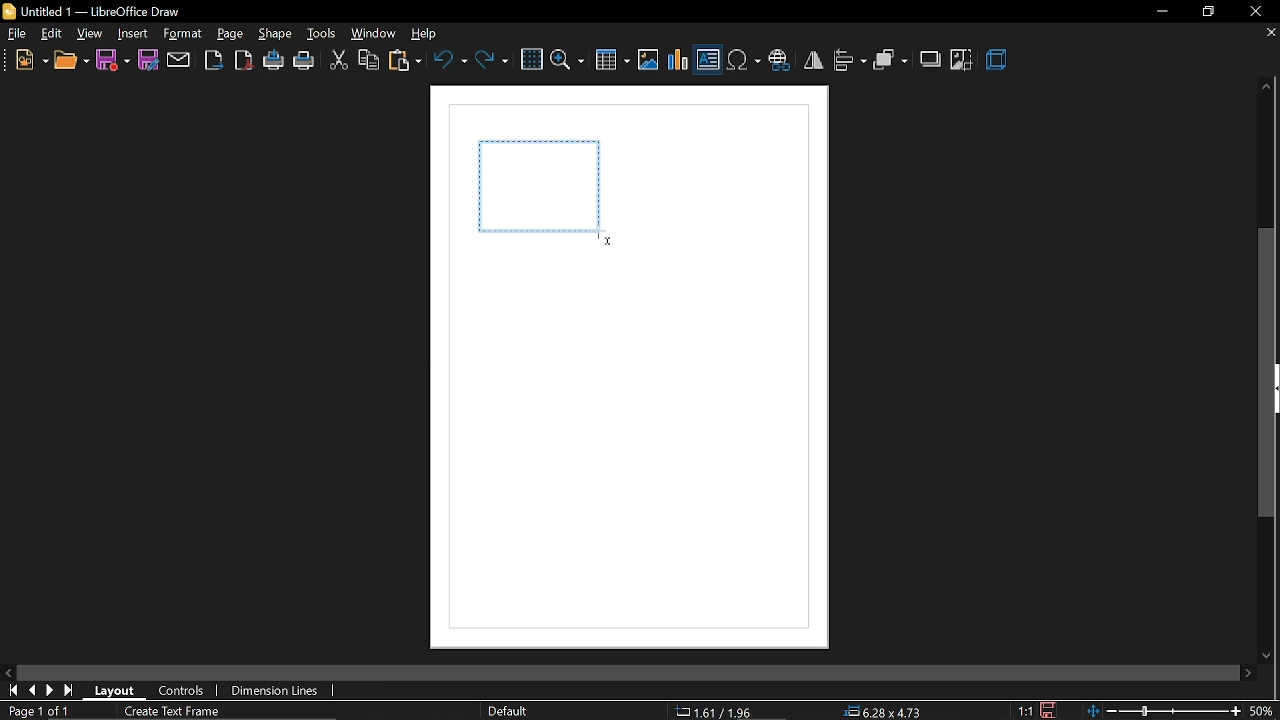  Describe the element at coordinates (35, 692) in the screenshot. I see `previous page` at that location.